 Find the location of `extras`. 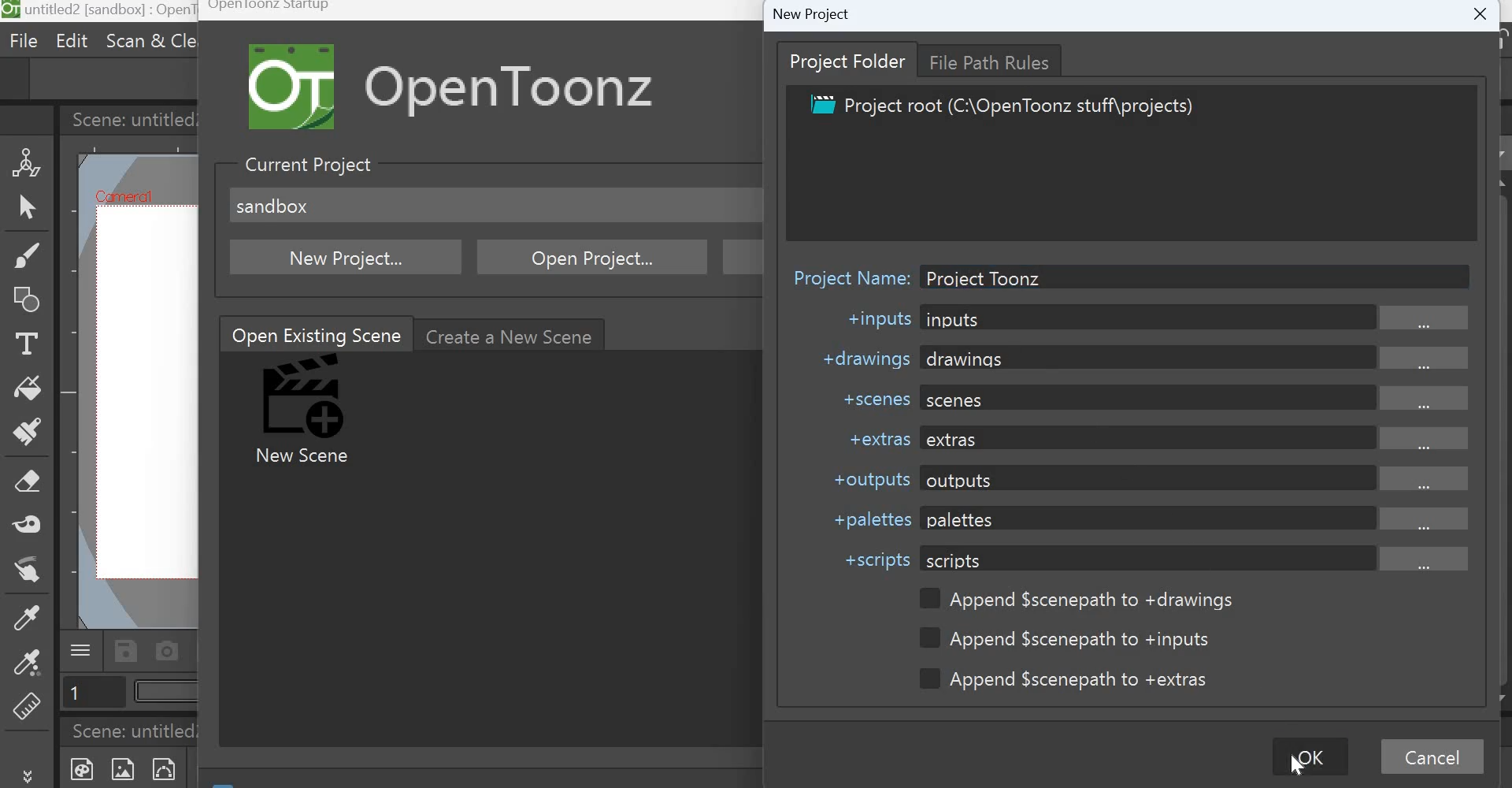

extras is located at coordinates (1195, 438).